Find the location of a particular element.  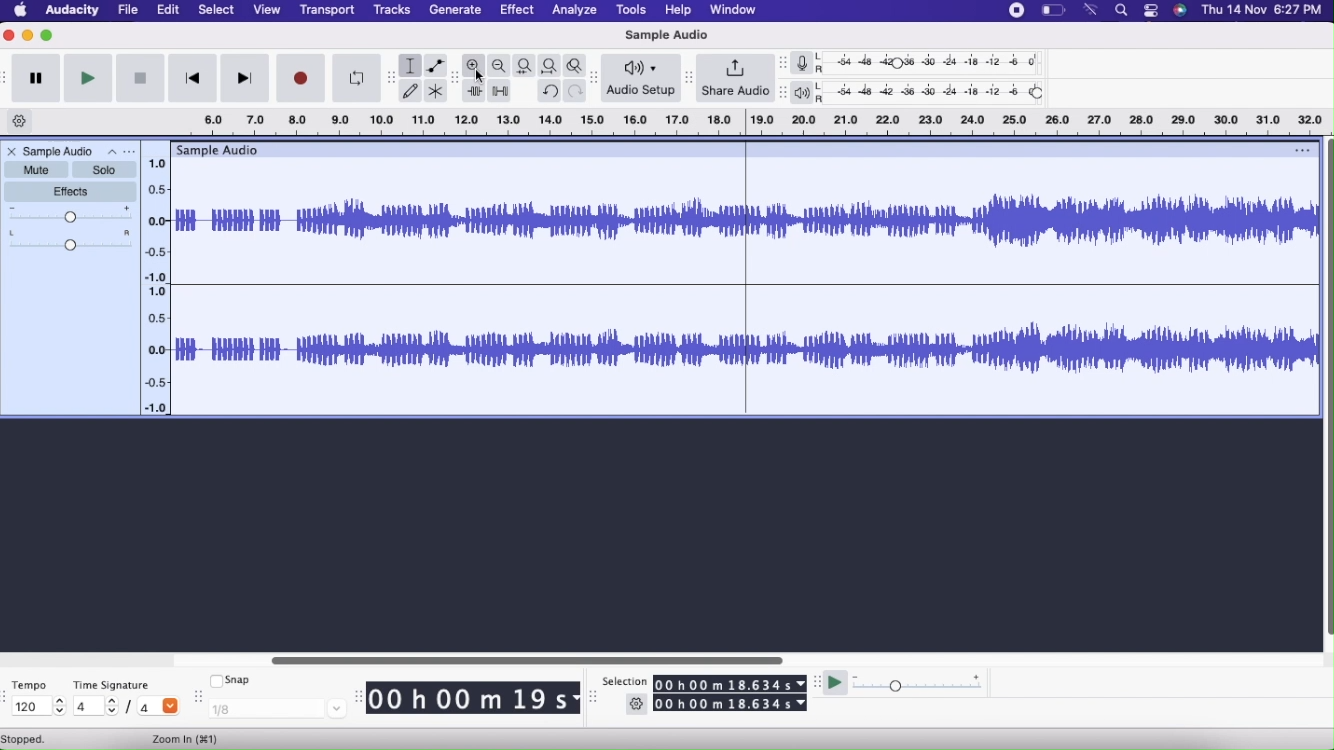

Tempo is located at coordinates (30, 683).